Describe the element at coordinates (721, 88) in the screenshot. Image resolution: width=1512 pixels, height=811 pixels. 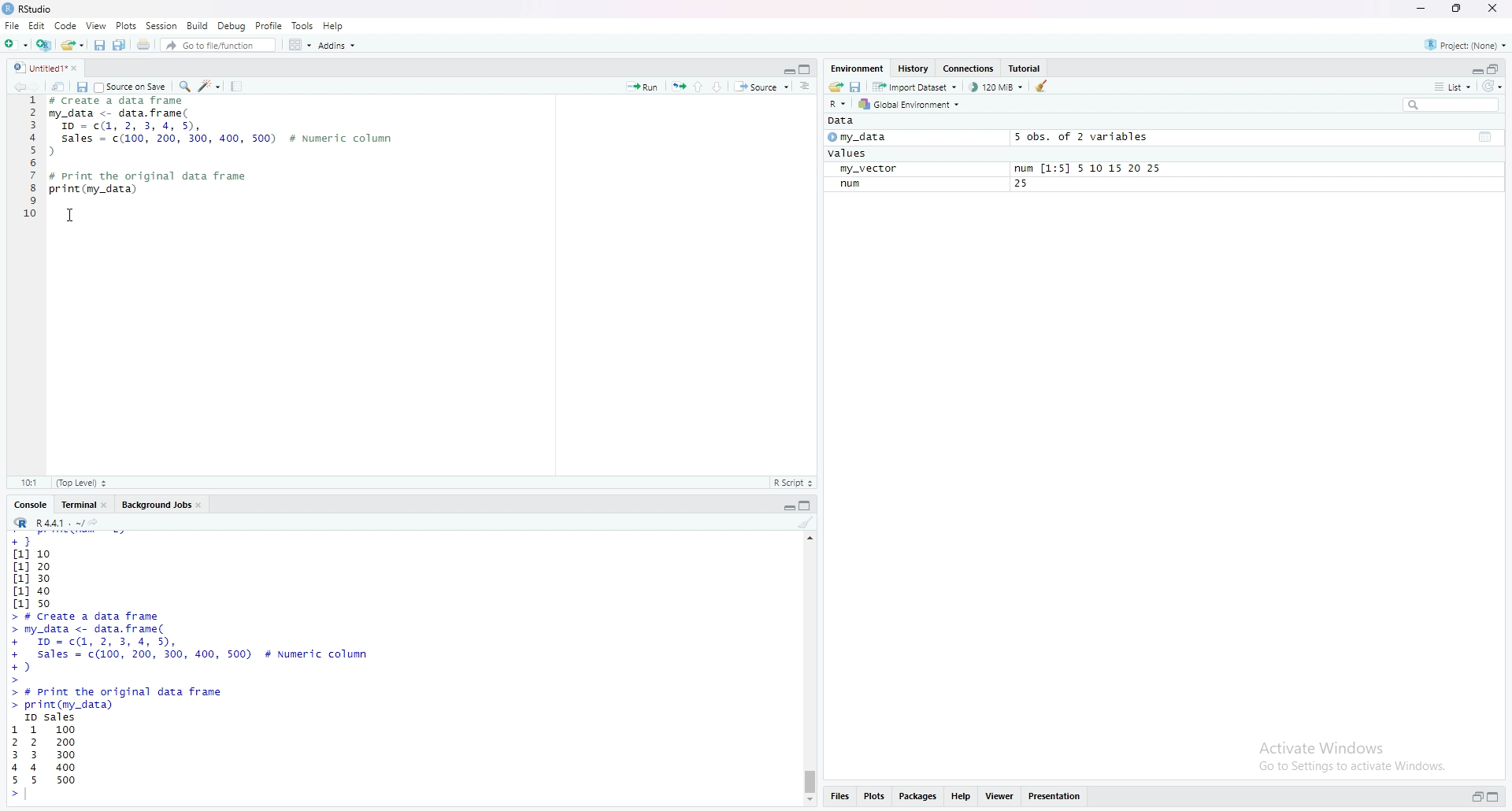
I see `go to next section/chunk` at that location.